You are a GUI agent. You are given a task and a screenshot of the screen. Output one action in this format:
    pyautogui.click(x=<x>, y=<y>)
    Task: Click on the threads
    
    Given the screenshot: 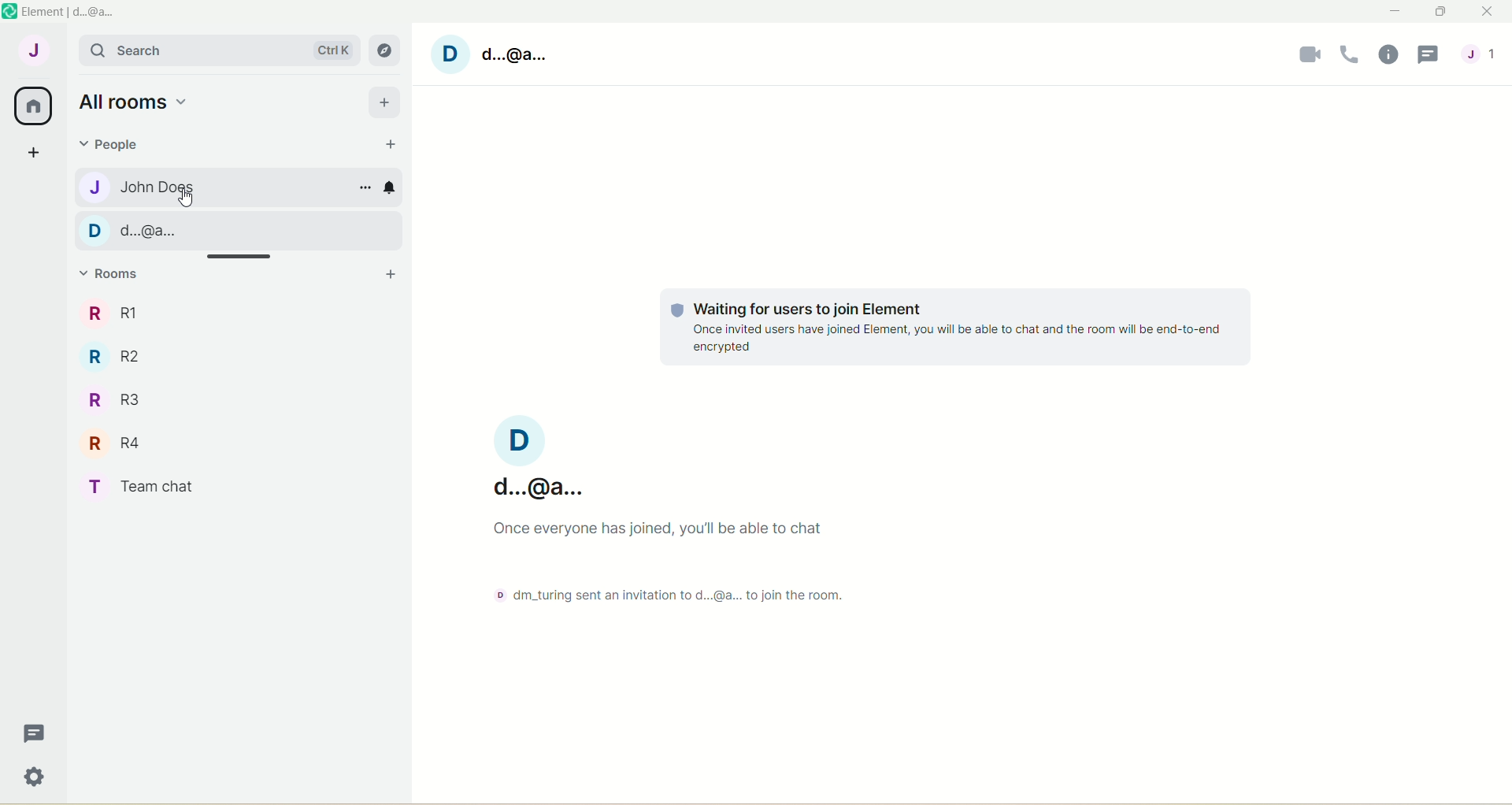 What is the action you would take?
    pyautogui.click(x=31, y=733)
    